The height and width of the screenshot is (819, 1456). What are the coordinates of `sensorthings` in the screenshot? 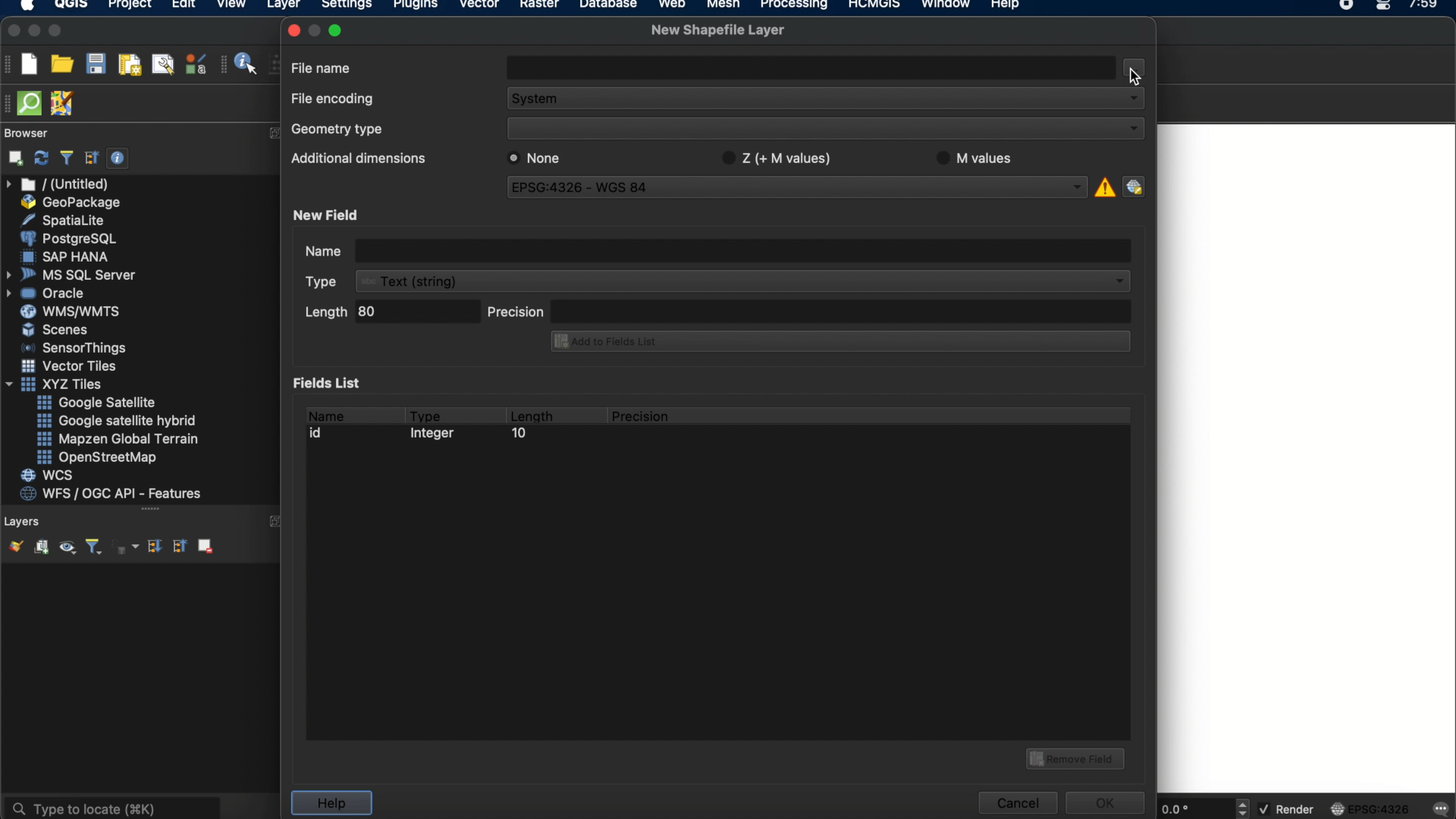 It's located at (74, 348).